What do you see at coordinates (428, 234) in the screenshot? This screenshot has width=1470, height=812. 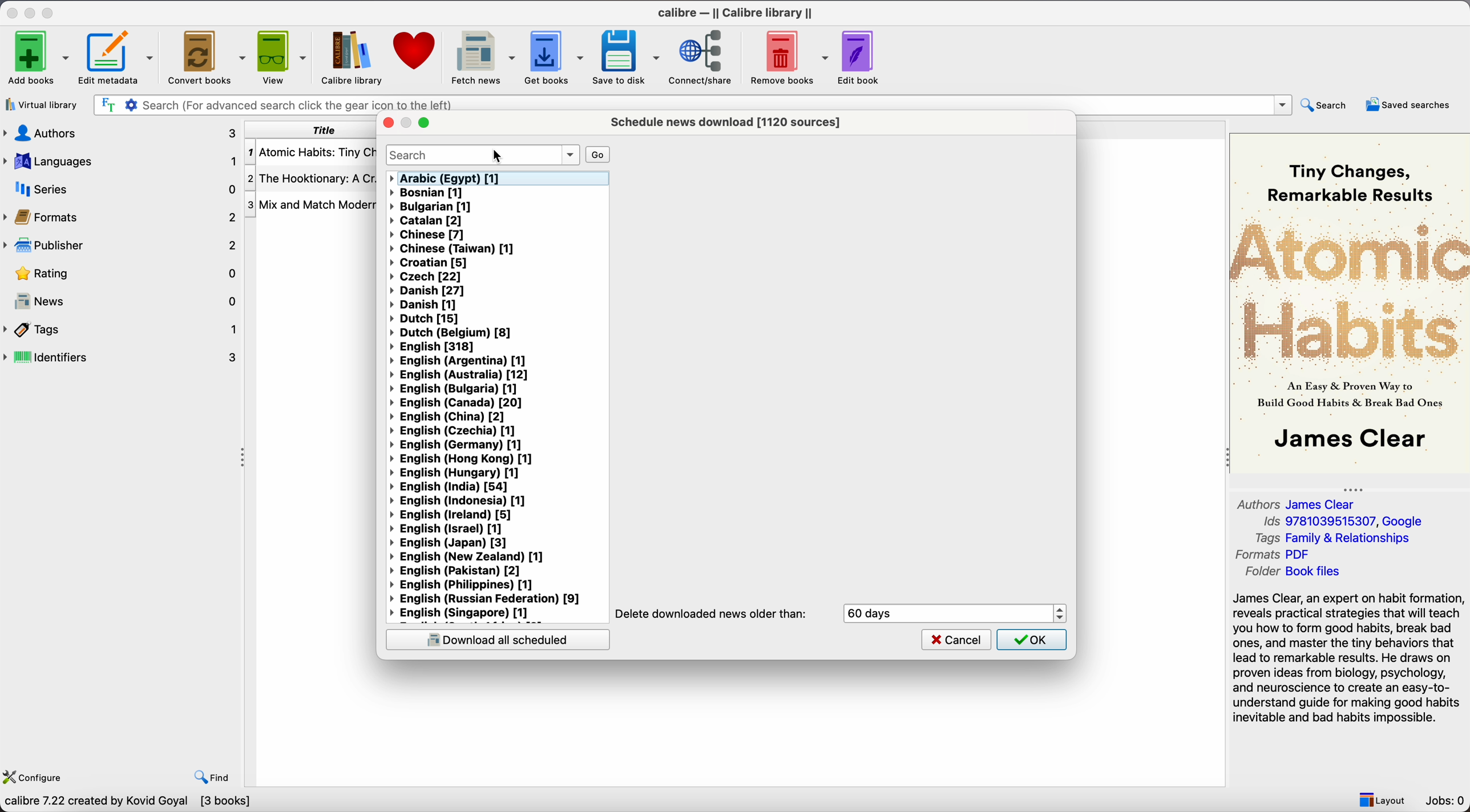 I see `Chinese [7]` at bounding box center [428, 234].